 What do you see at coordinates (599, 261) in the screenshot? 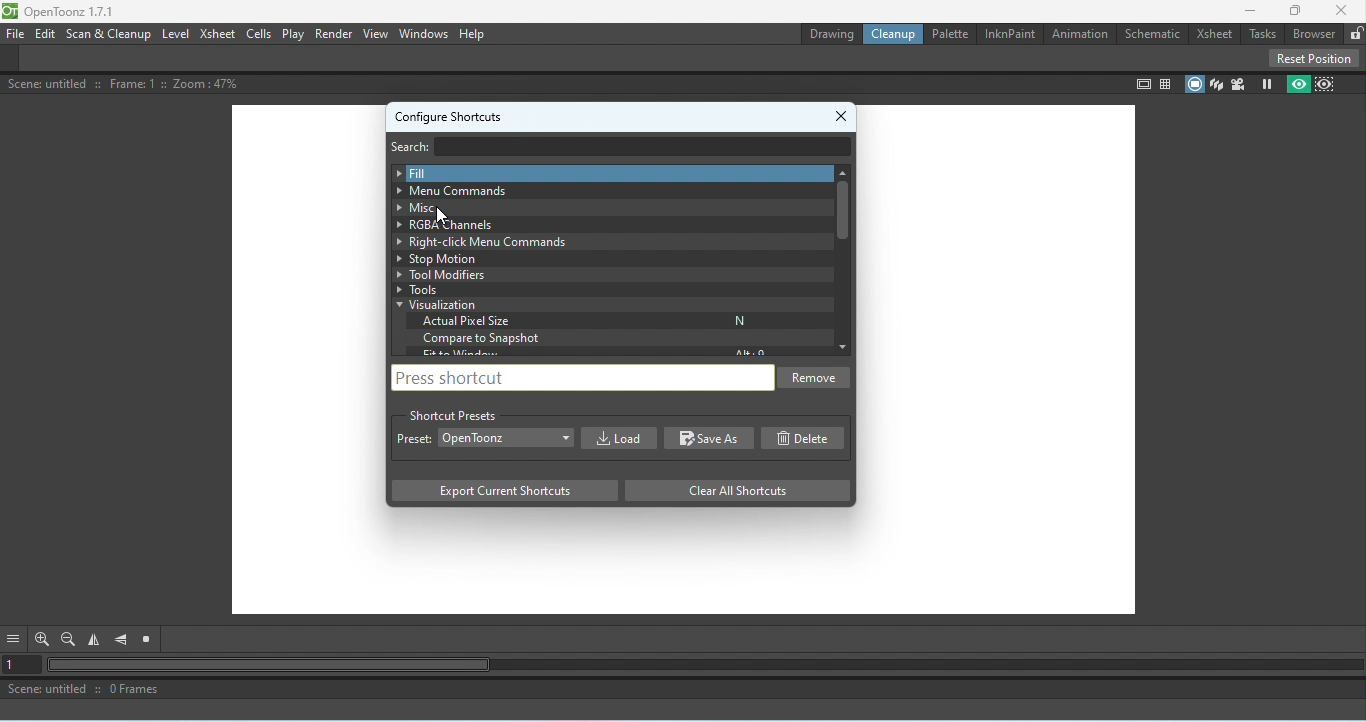
I see `Stop motion` at bounding box center [599, 261].